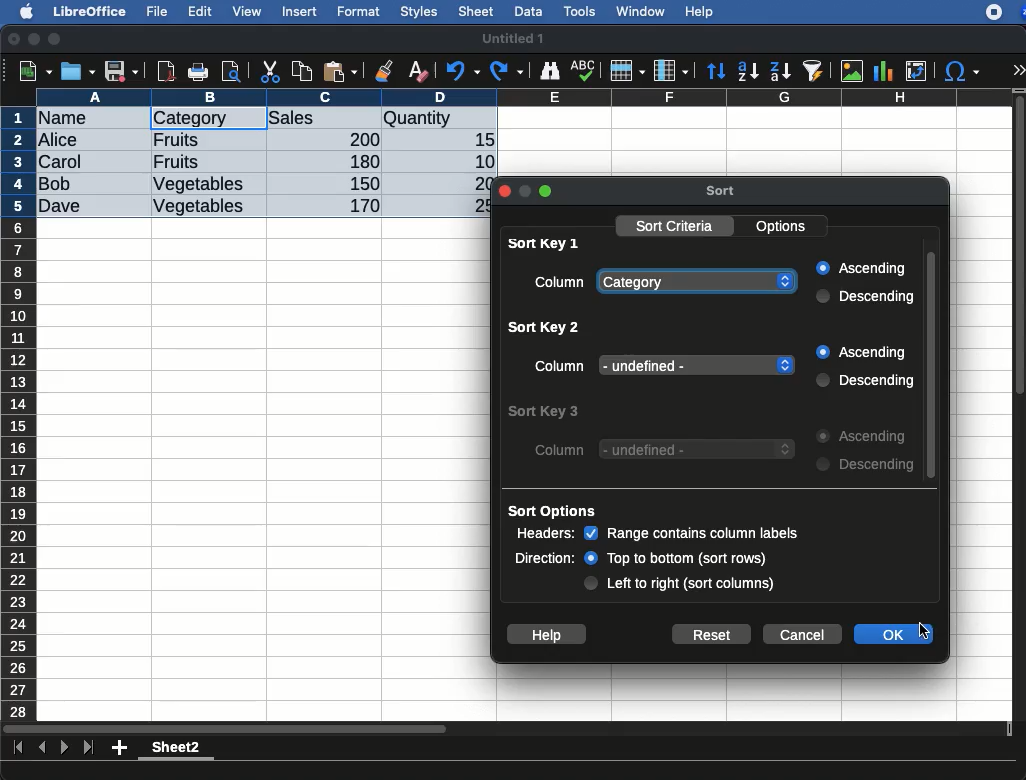 The height and width of the screenshot is (780, 1026). Describe the element at coordinates (553, 512) in the screenshot. I see `sort options` at that location.